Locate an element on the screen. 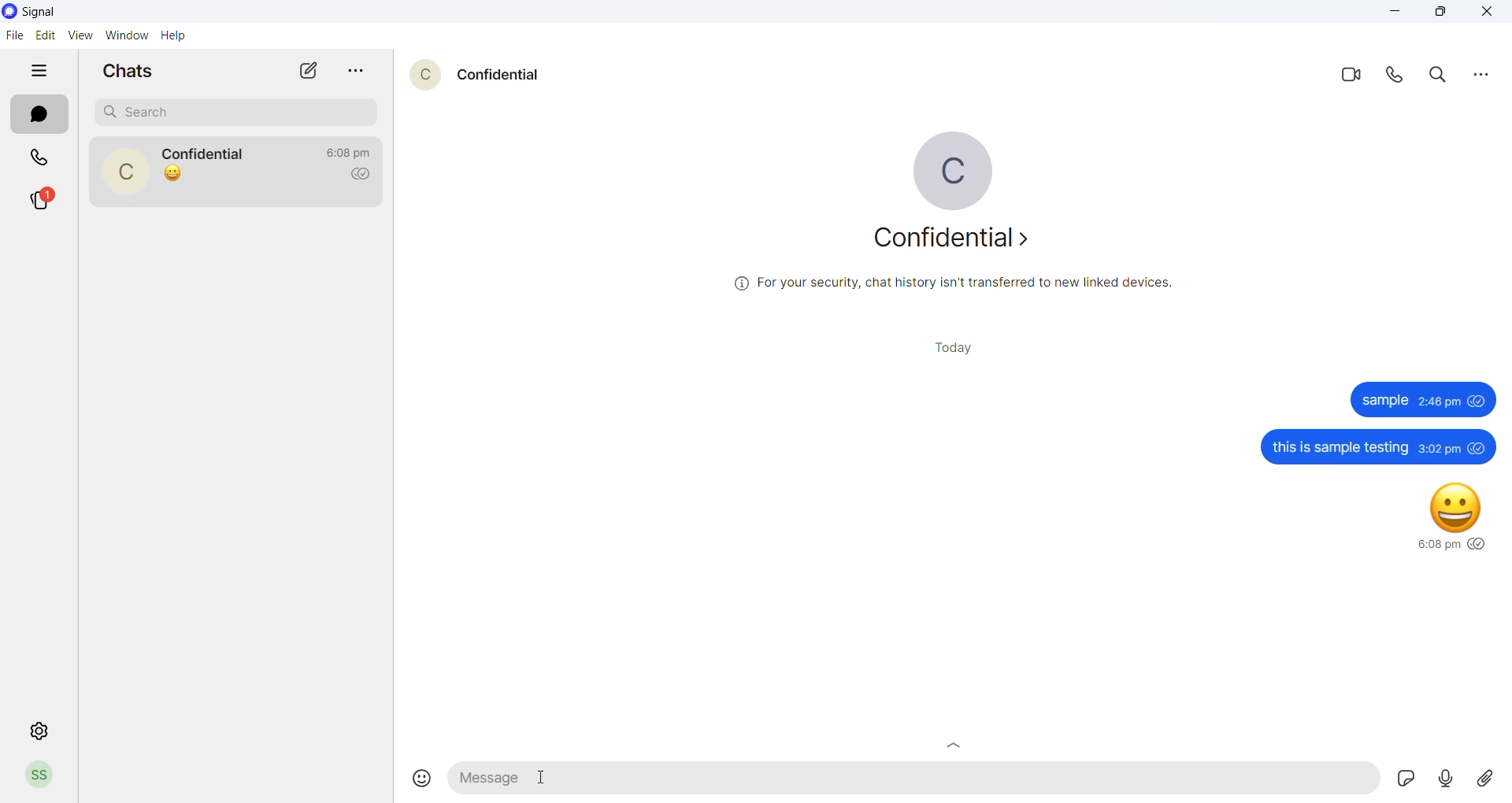 This screenshot has height=803, width=1512. voice note is located at coordinates (1447, 779).